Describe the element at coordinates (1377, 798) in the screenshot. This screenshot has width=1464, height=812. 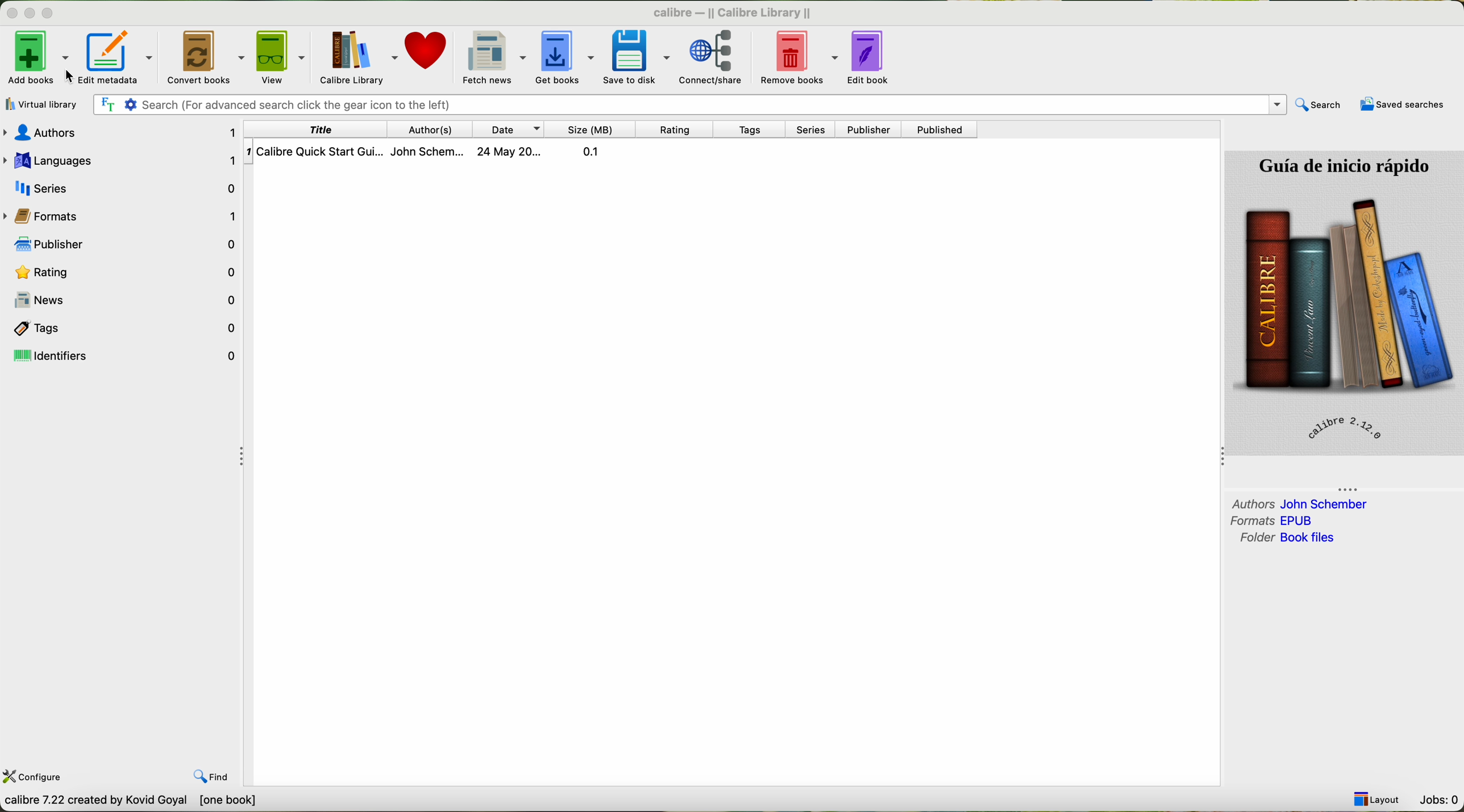
I see `layout` at that location.